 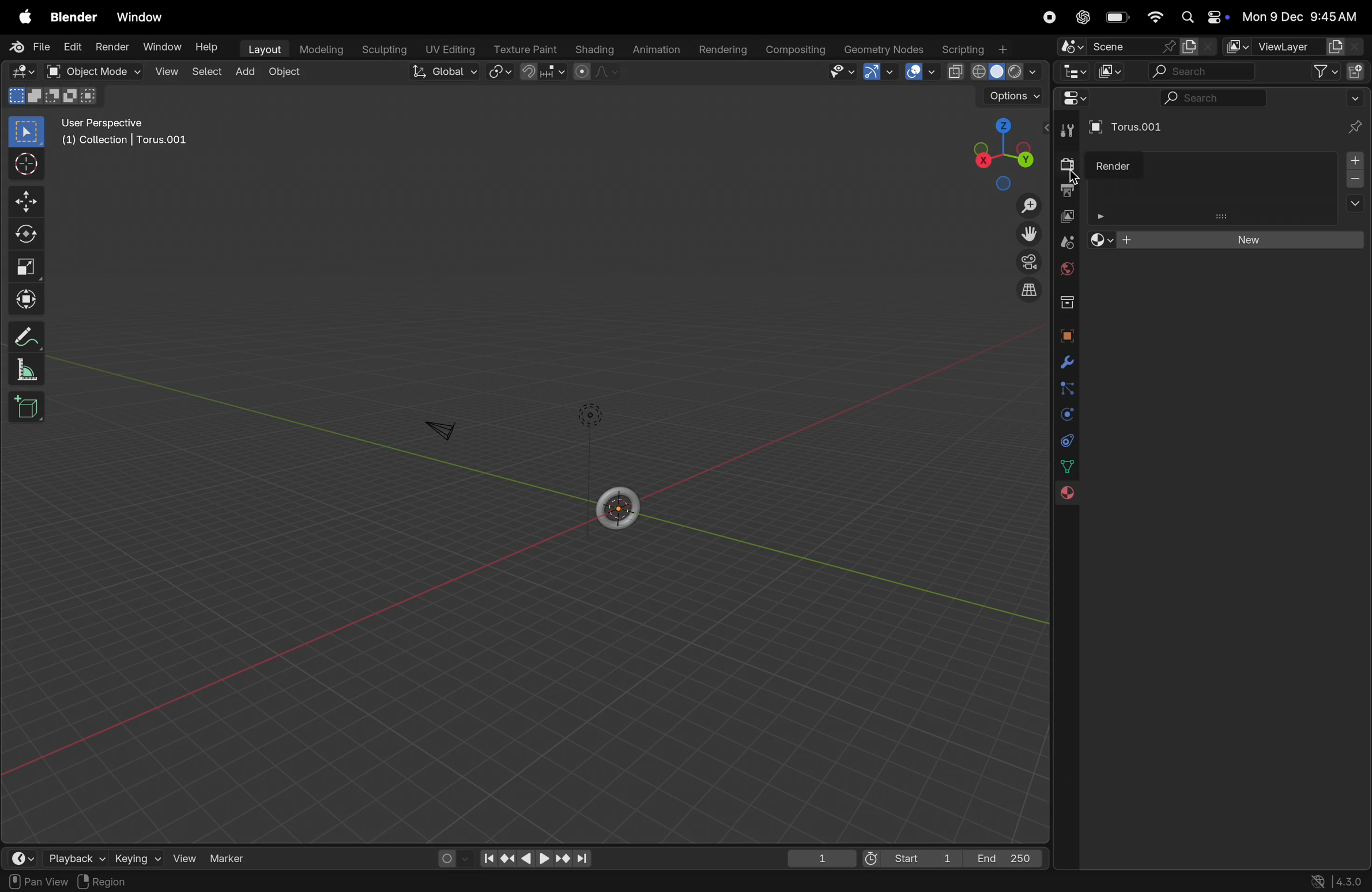 I want to click on rendering, so click(x=725, y=48).